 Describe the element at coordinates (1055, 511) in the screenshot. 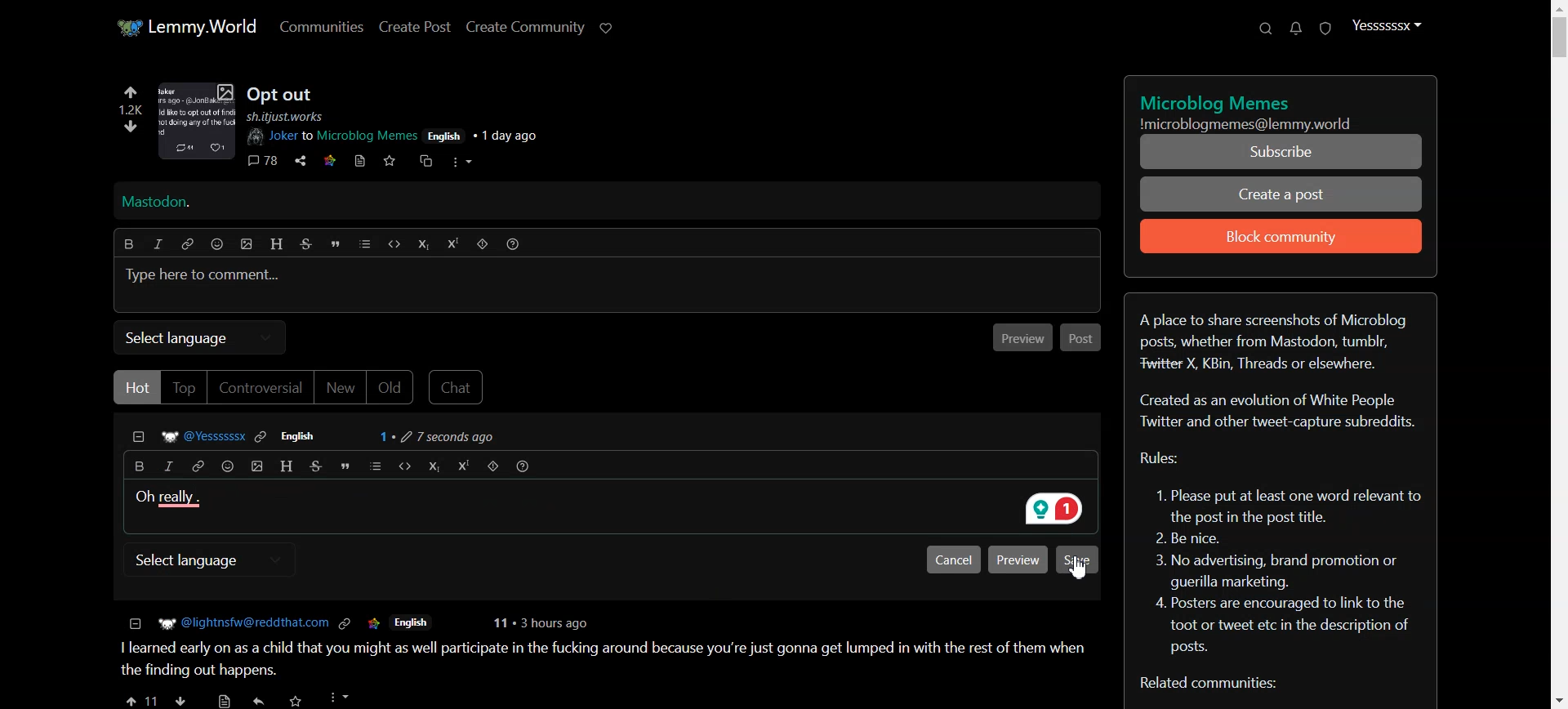

I see `grammarly` at that location.